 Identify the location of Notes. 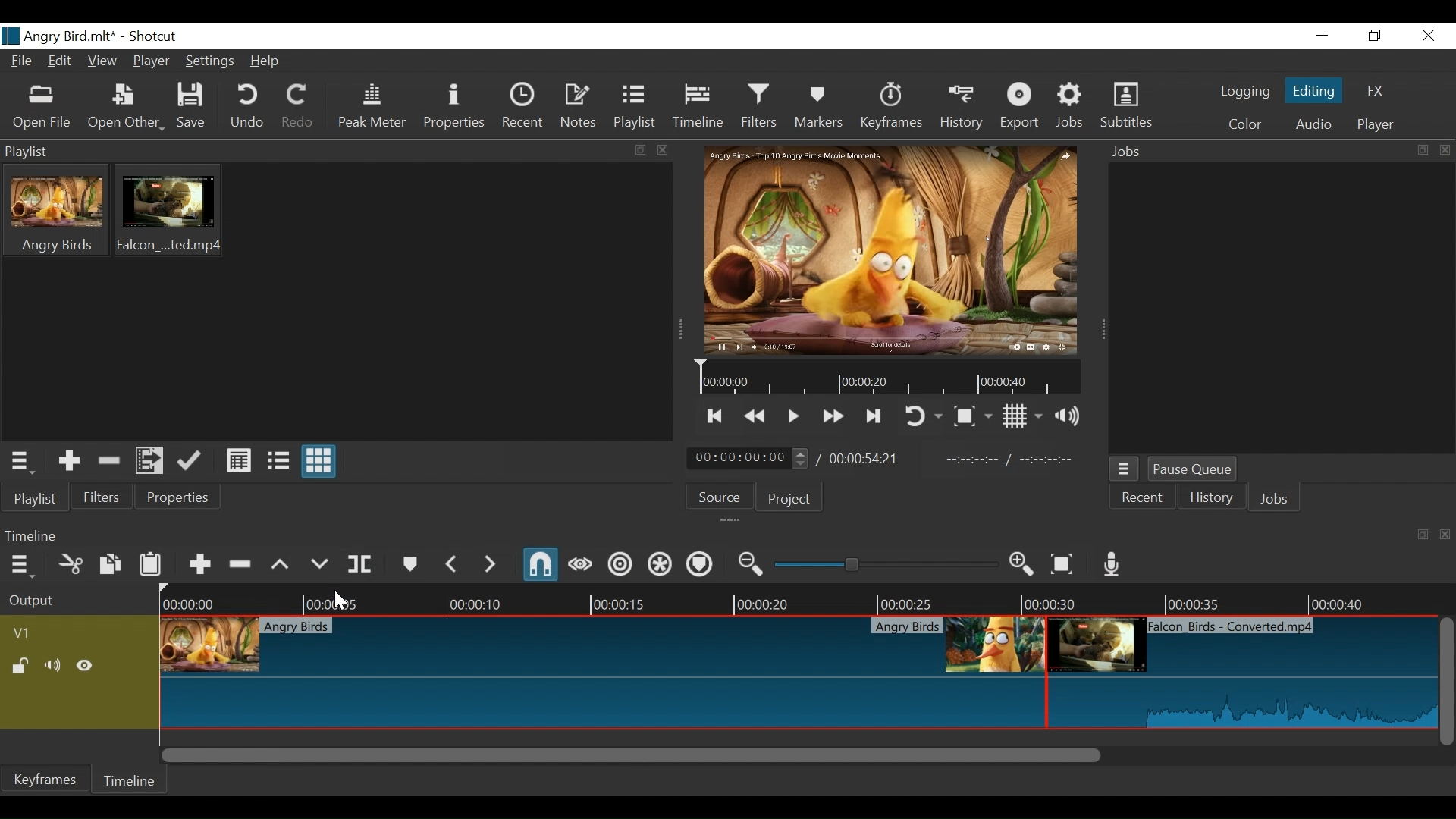
(580, 106).